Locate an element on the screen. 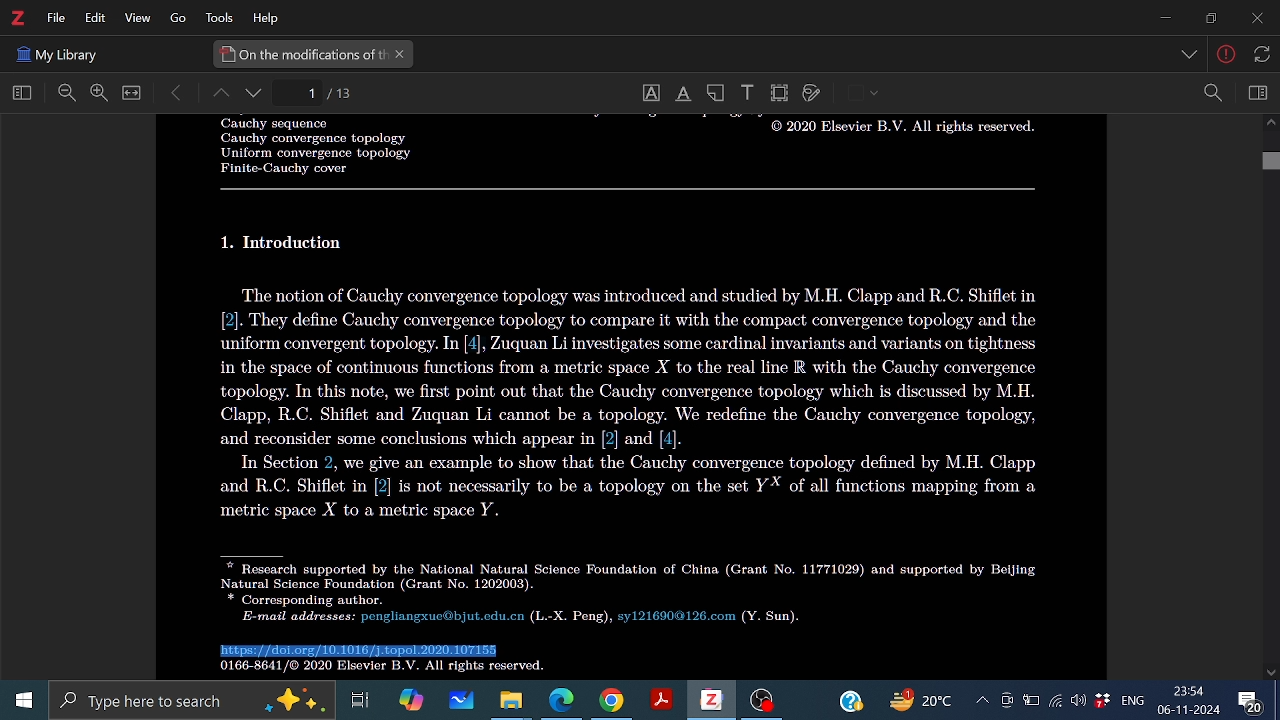 The height and width of the screenshot is (720, 1280). Minmize is located at coordinates (1164, 19).